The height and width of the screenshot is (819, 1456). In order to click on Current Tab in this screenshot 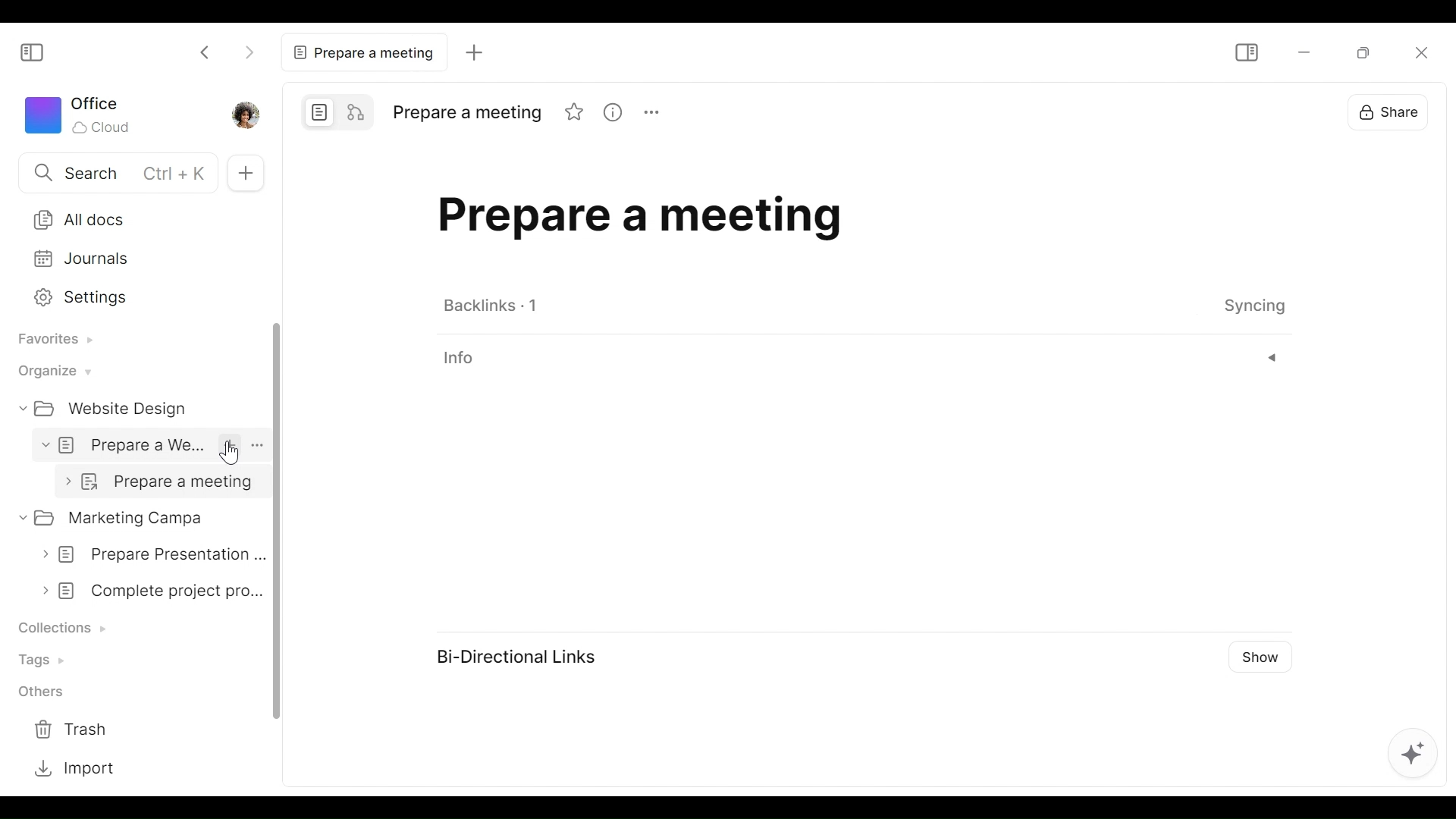, I will do `click(359, 50)`.